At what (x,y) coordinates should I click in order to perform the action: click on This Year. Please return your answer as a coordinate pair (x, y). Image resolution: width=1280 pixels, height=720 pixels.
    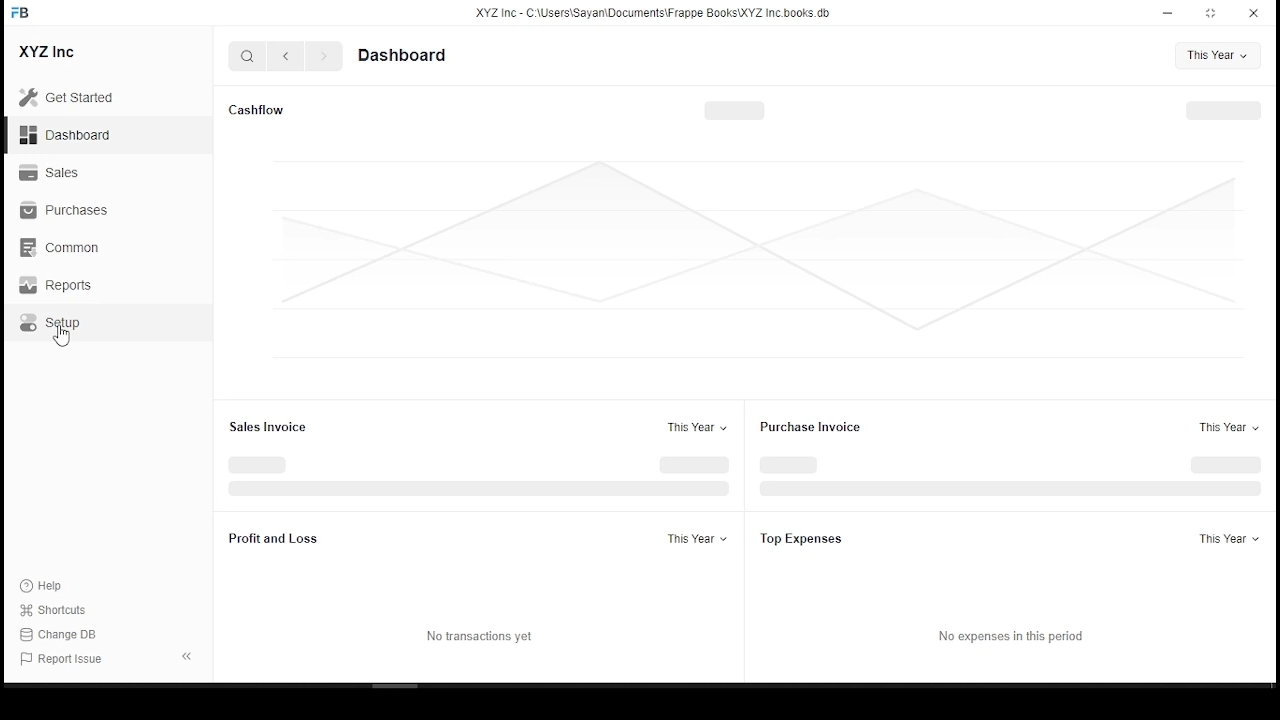
    Looking at the image, I should click on (1229, 540).